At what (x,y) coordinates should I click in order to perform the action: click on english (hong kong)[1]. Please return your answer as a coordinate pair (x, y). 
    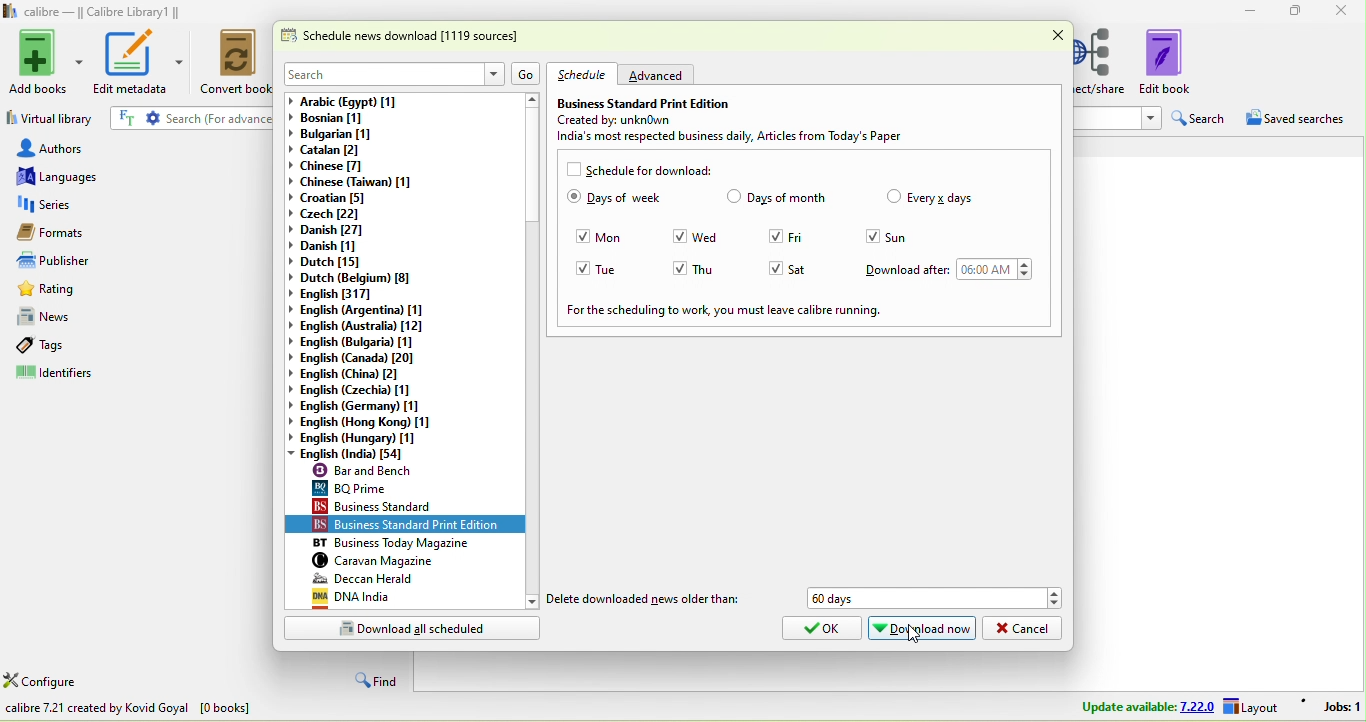
    Looking at the image, I should click on (367, 422).